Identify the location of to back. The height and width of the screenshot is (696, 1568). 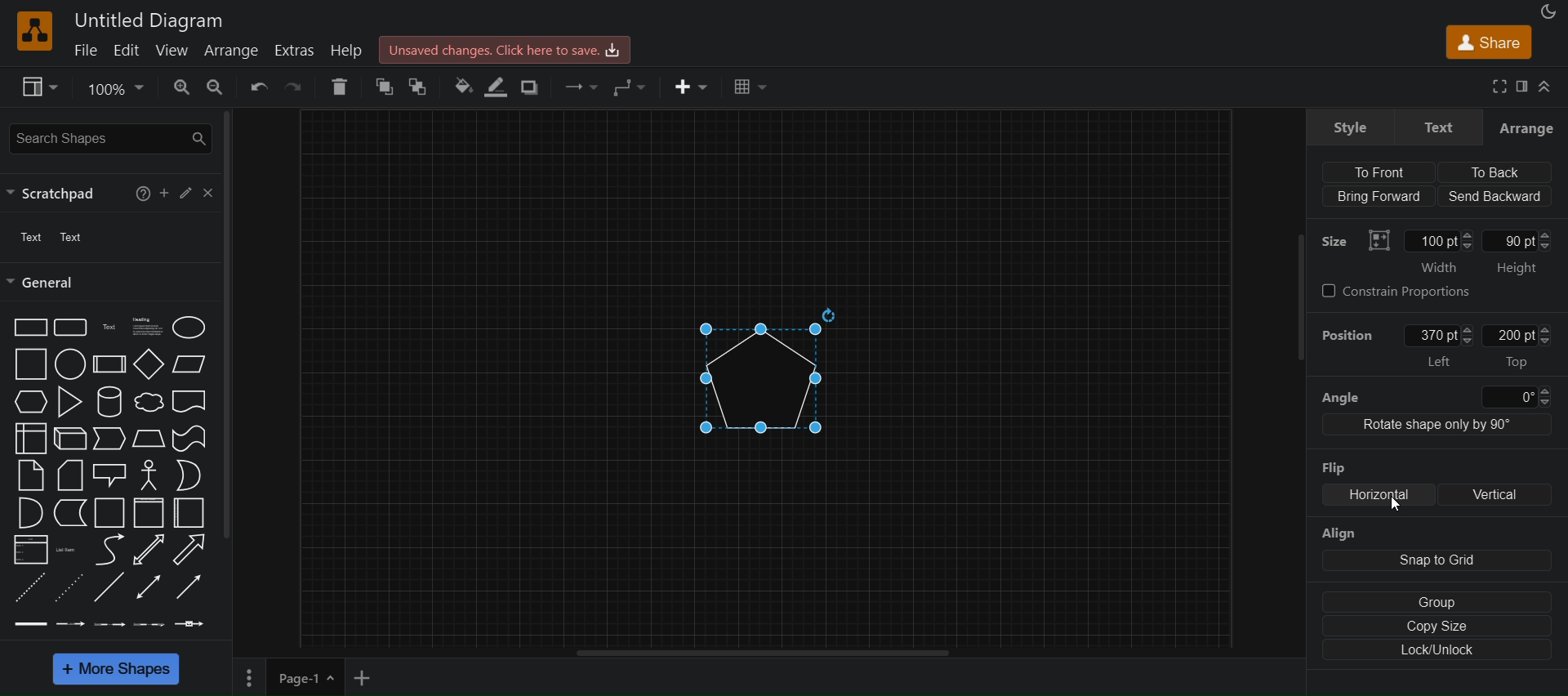
(420, 86).